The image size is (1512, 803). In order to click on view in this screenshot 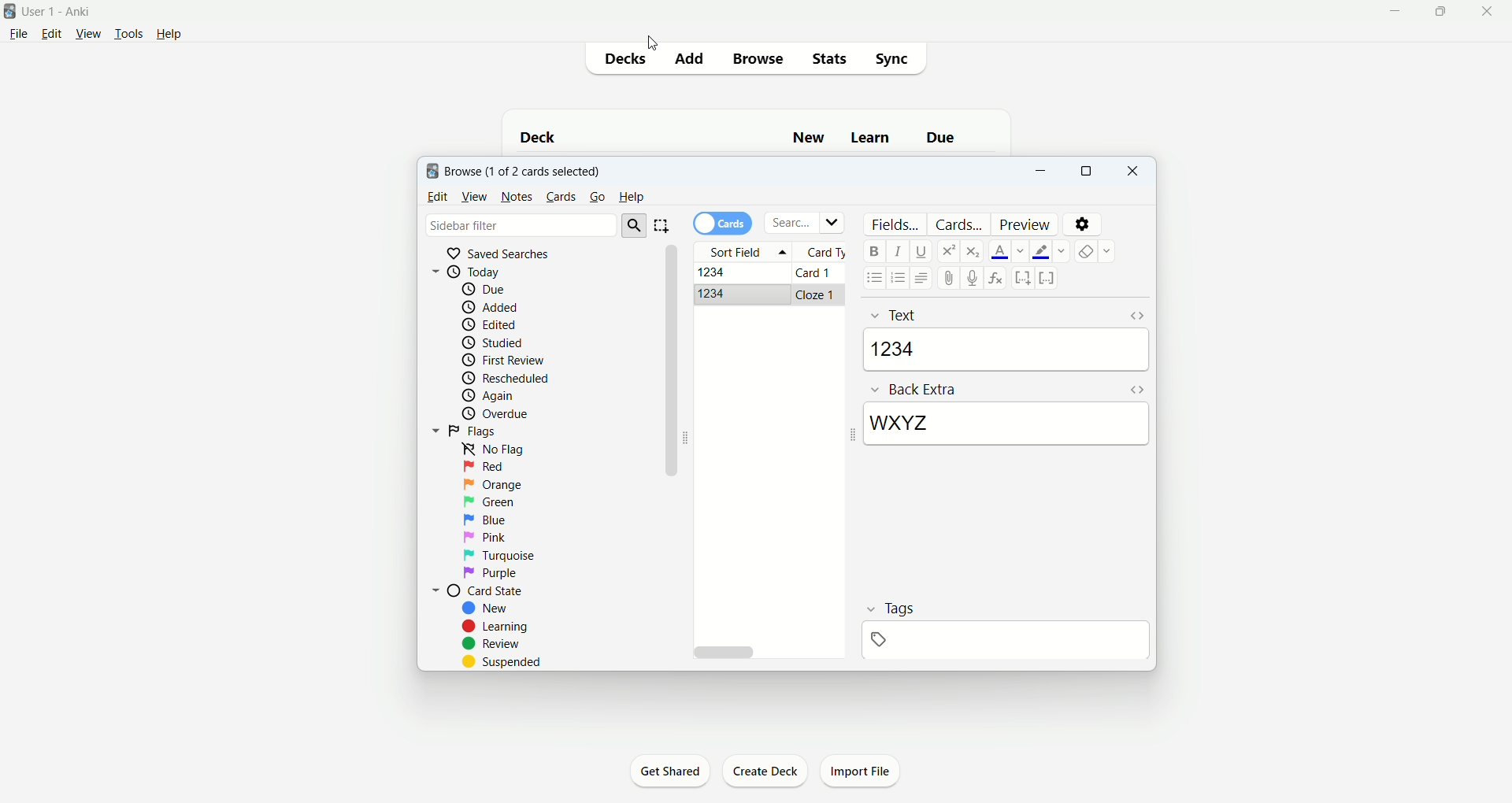, I will do `click(88, 35)`.